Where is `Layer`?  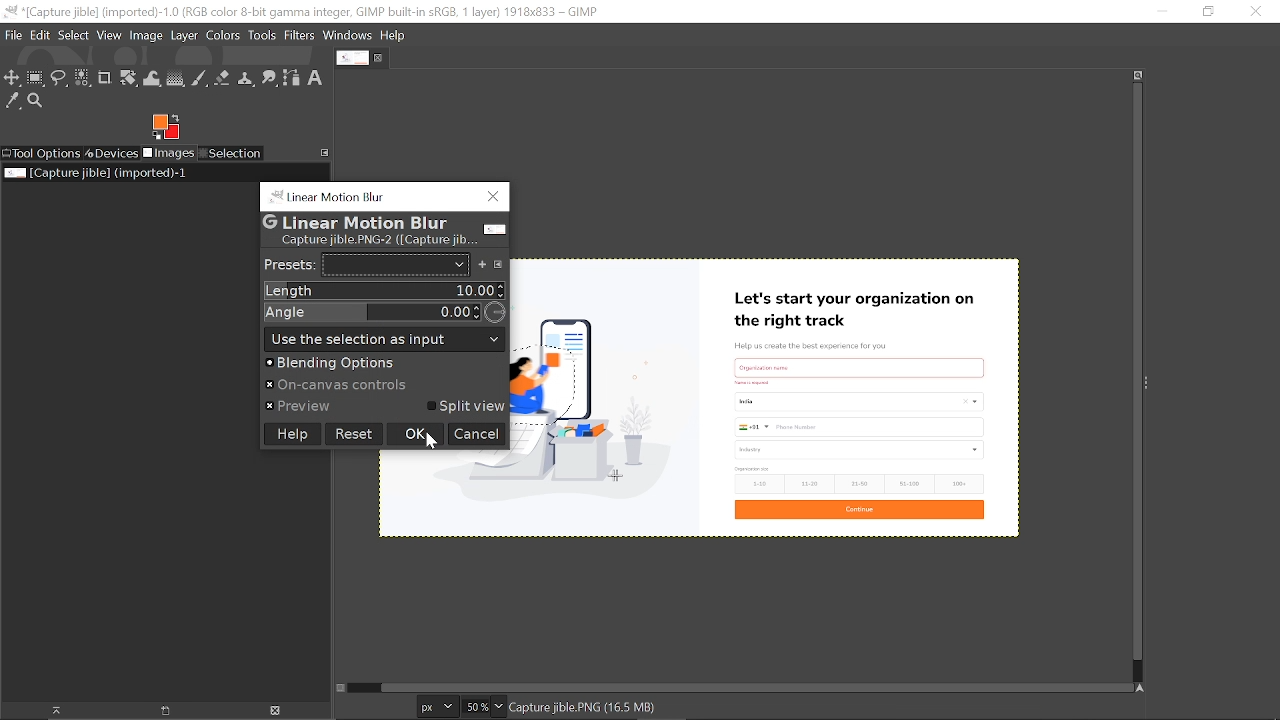
Layer is located at coordinates (184, 37).